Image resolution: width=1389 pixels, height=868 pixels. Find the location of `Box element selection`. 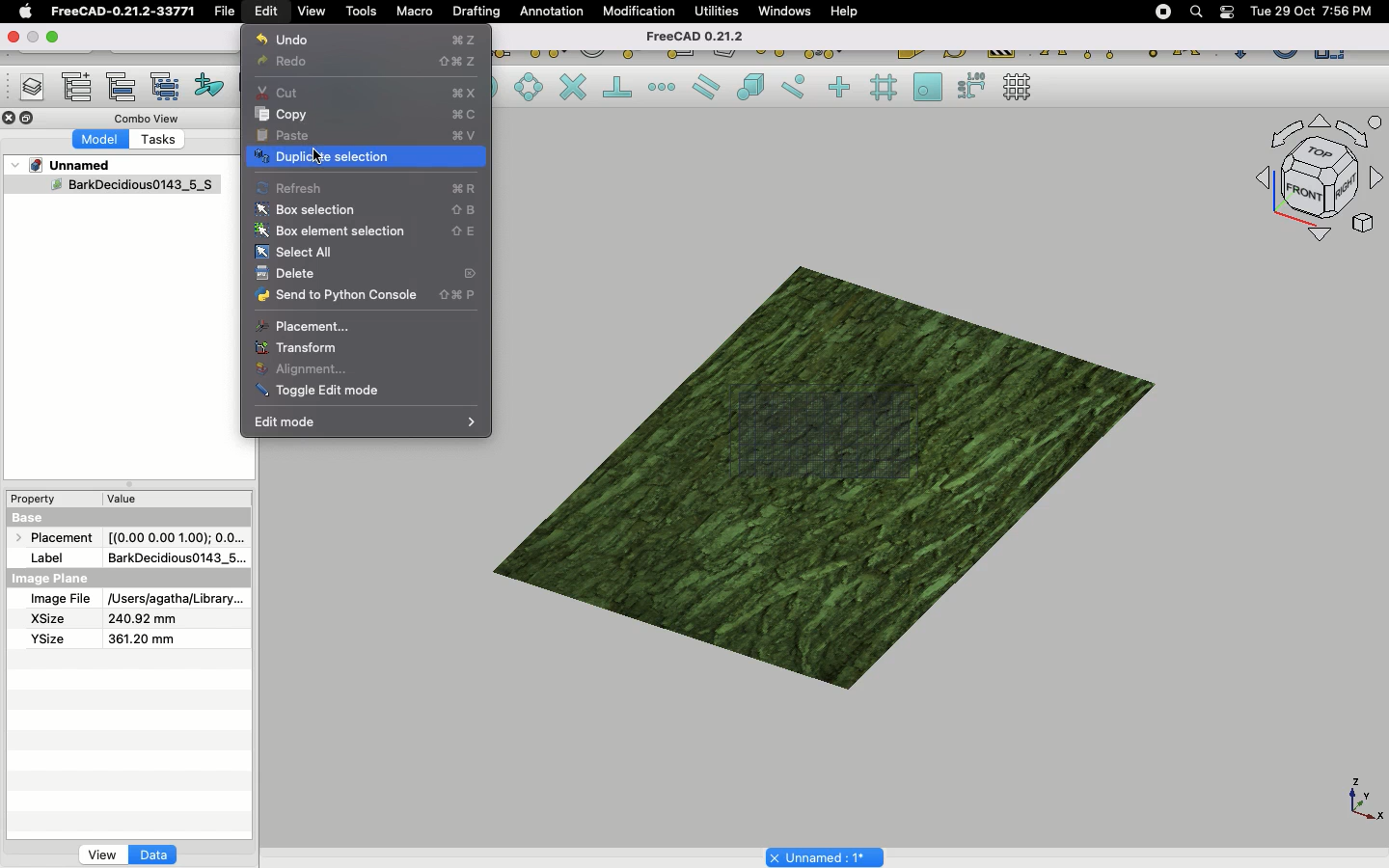

Box element selection is located at coordinates (368, 231).